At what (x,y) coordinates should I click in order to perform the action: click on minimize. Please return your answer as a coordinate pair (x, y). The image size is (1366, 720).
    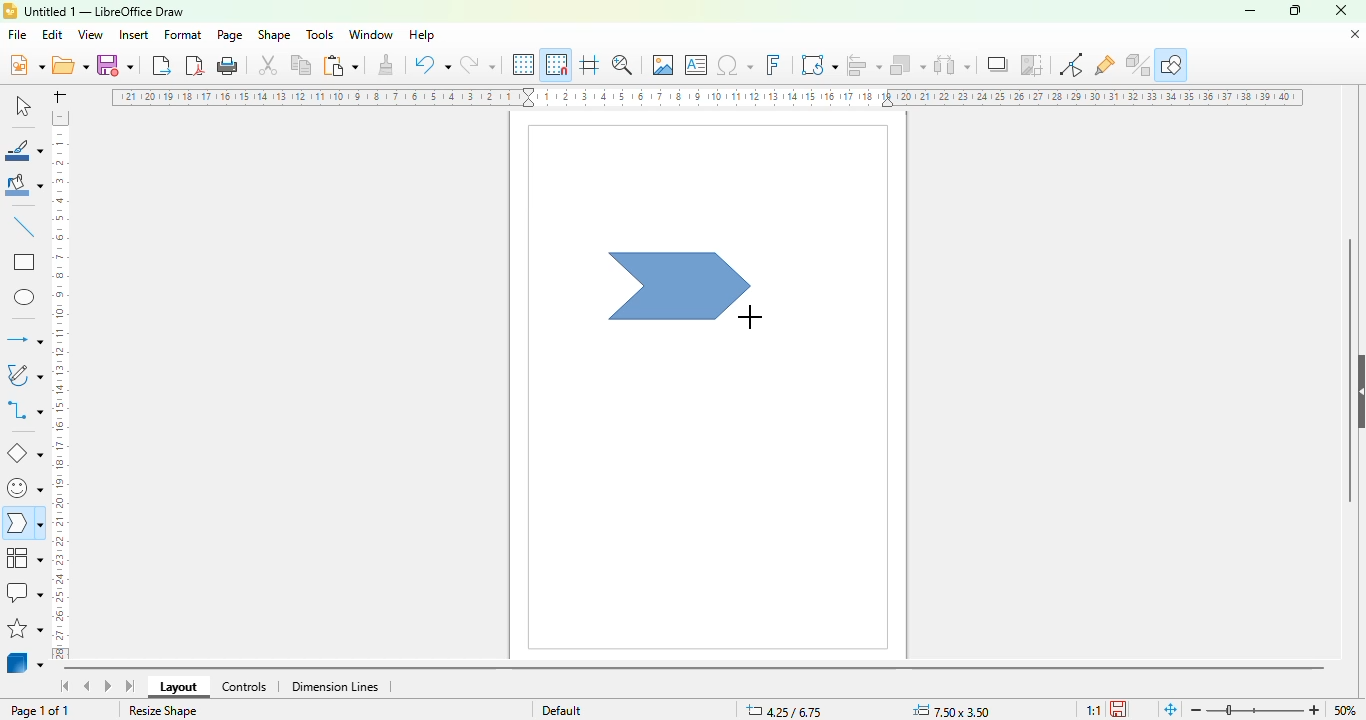
    Looking at the image, I should click on (1250, 12).